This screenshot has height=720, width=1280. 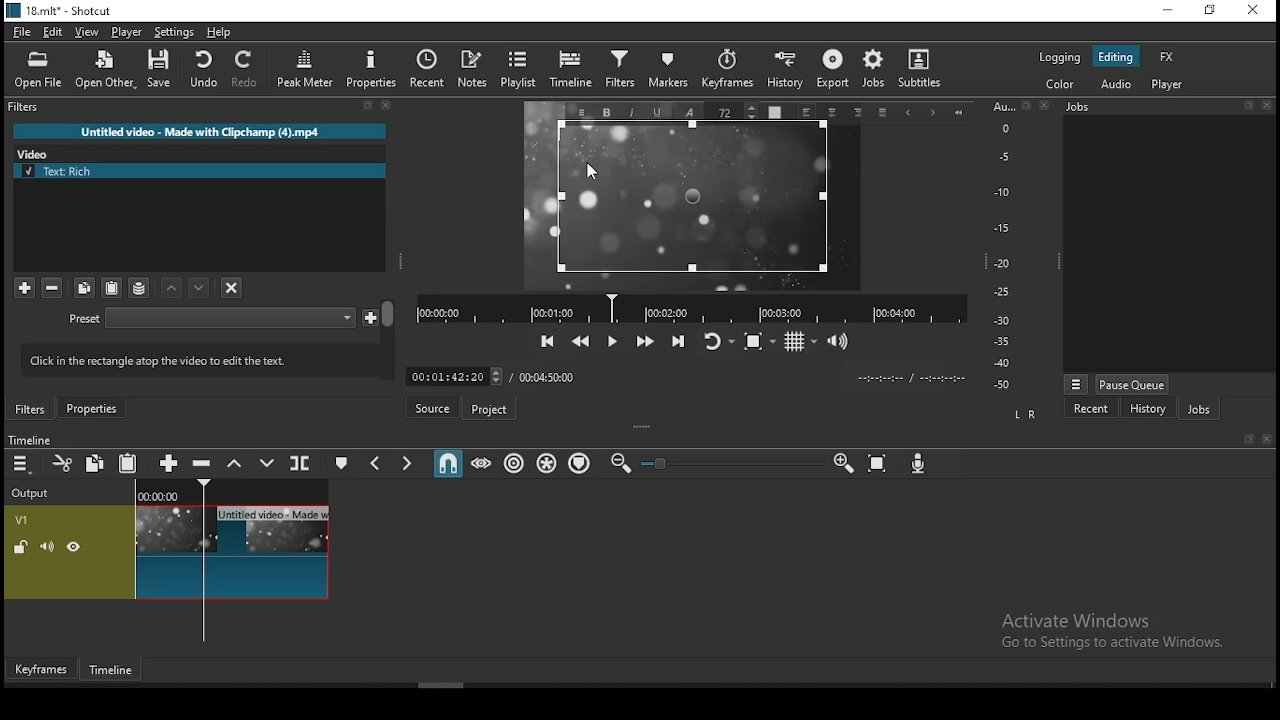 What do you see at coordinates (784, 73) in the screenshot?
I see `history` at bounding box center [784, 73].